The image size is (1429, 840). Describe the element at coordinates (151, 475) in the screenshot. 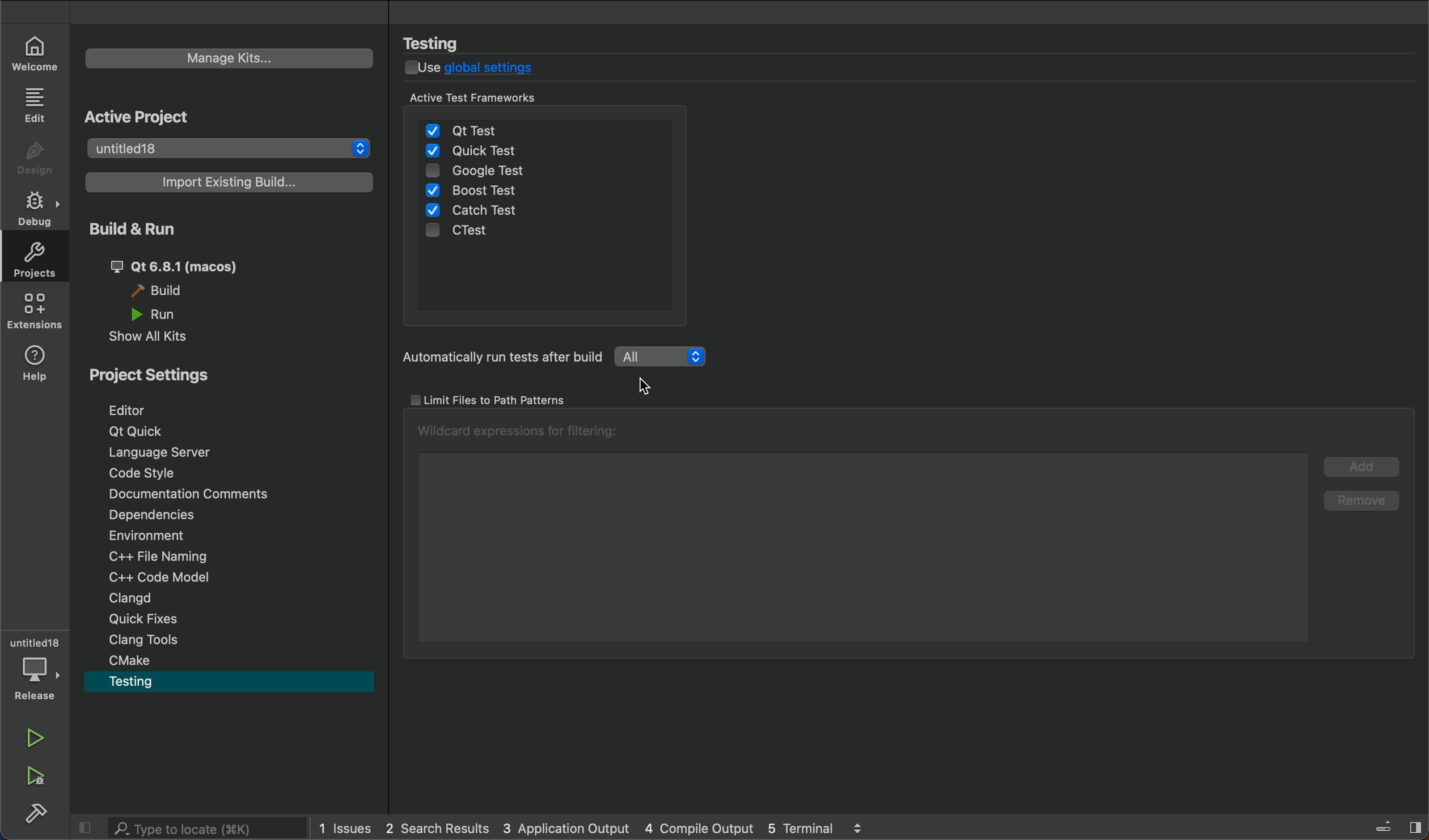

I see `code style` at that location.